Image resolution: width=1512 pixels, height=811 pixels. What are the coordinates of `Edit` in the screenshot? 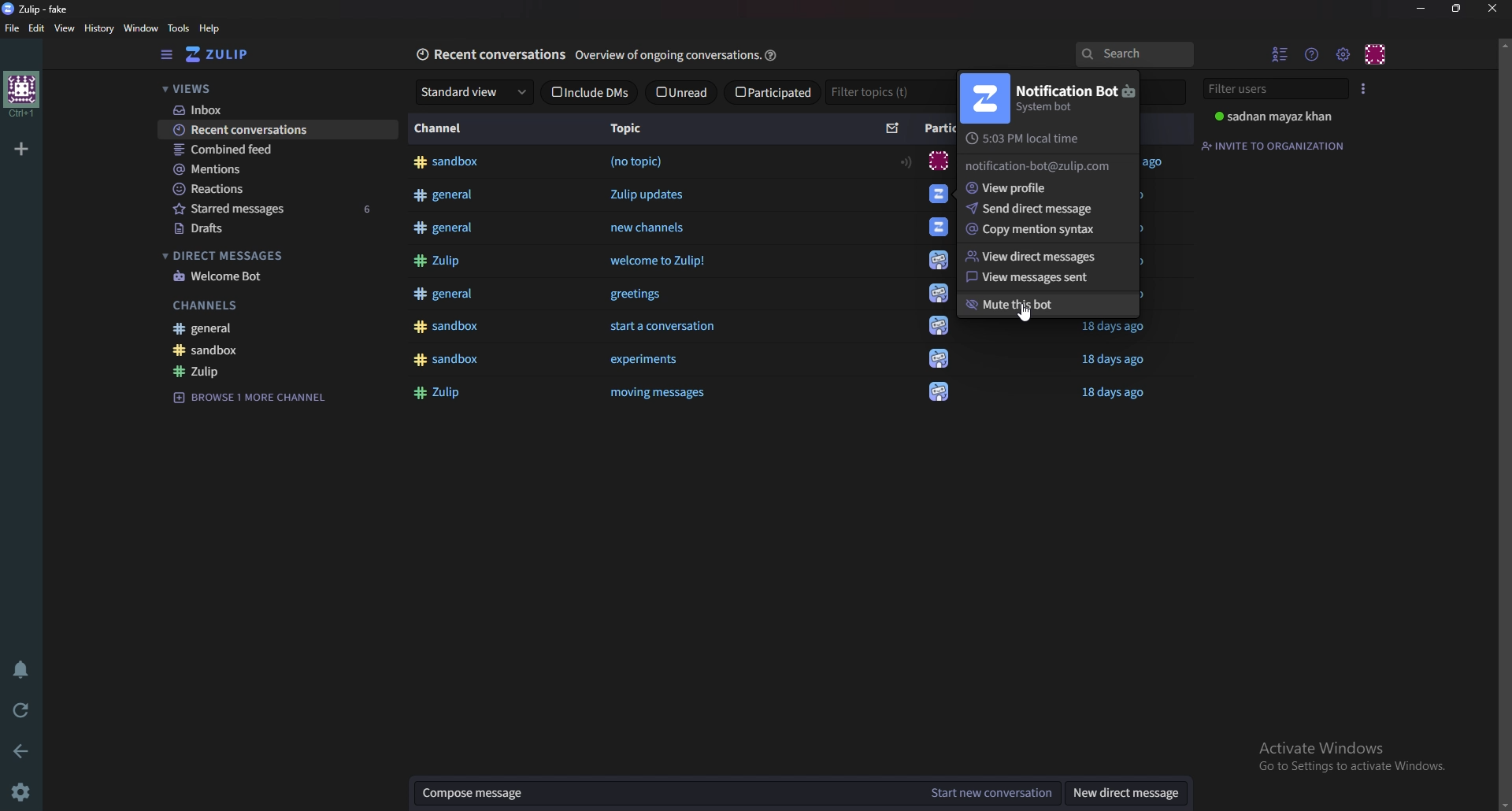 It's located at (38, 29).